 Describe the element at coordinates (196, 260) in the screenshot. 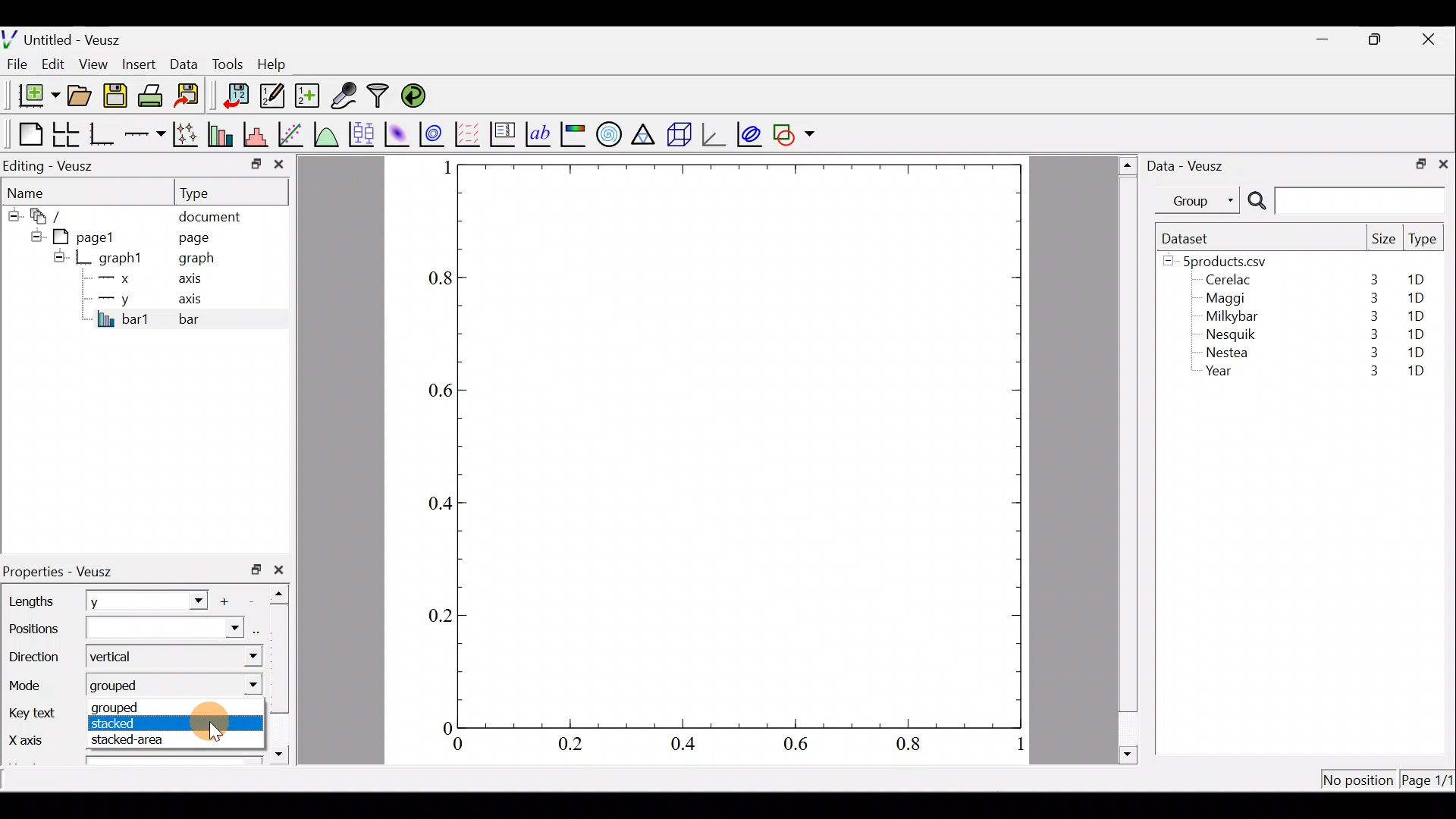

I see `graph` at that location.